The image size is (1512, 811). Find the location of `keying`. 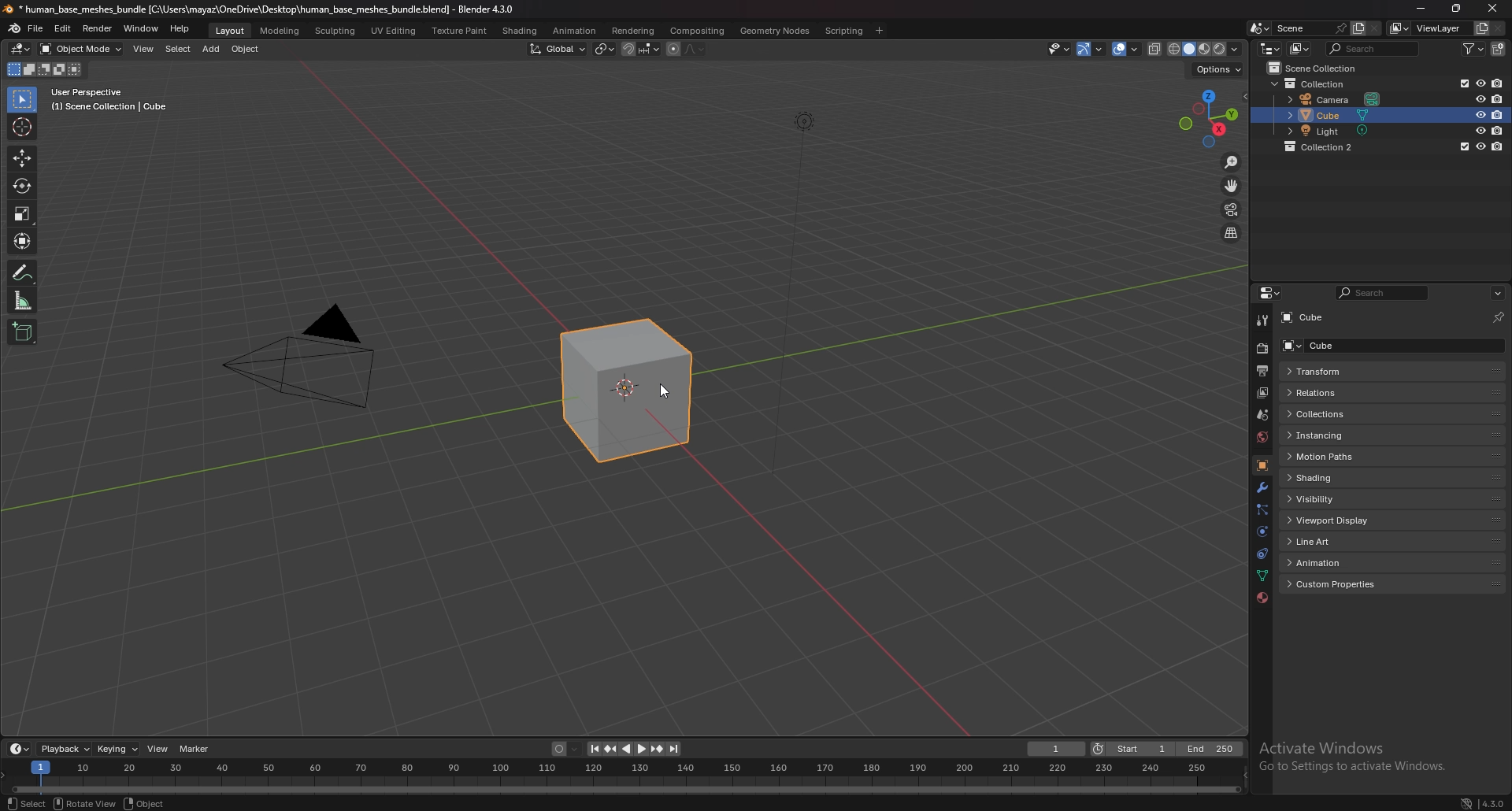

keying is located at coordinates (120, 749).